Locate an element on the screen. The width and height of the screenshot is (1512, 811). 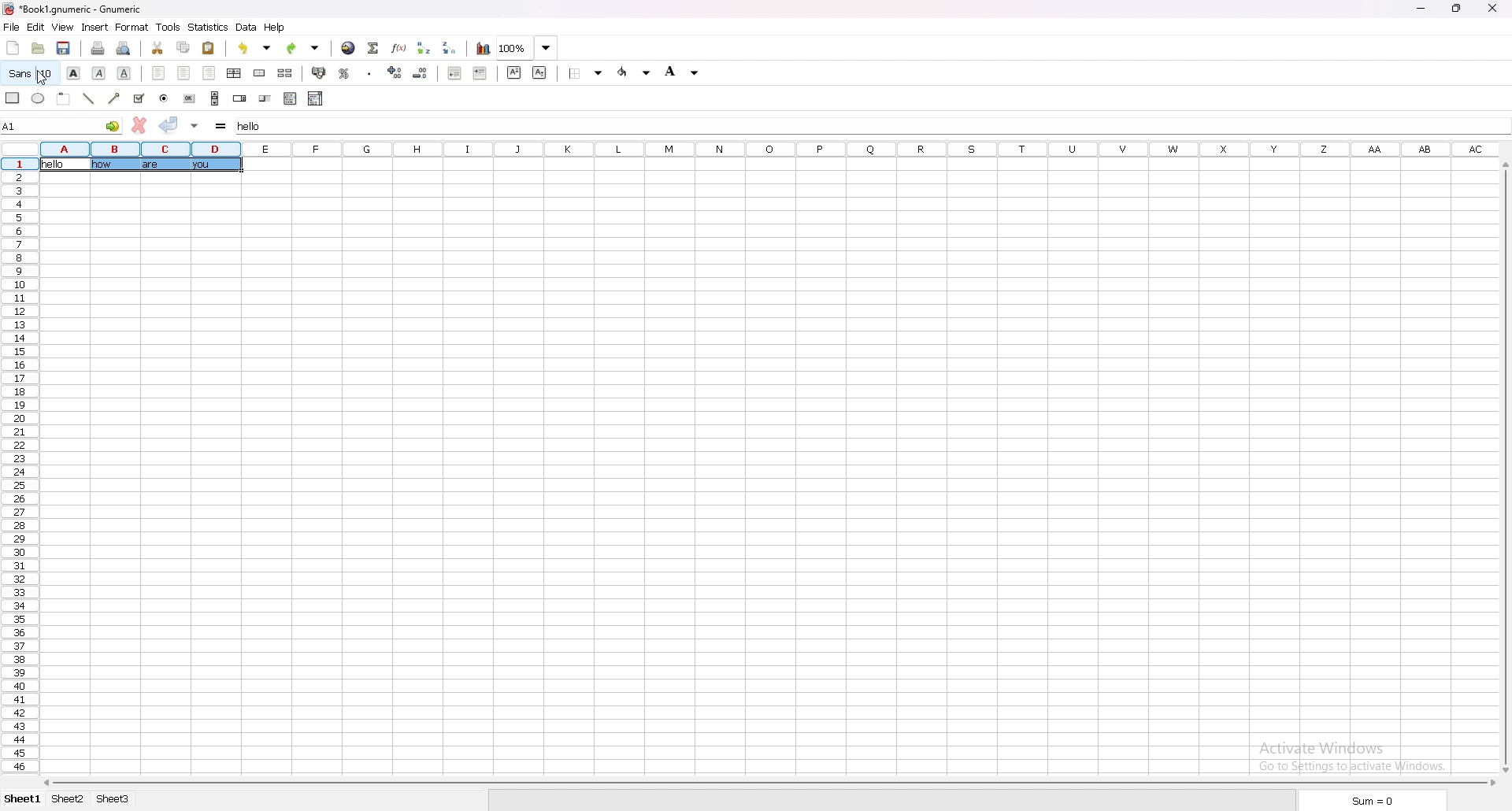
copy is located at coordinates (183, 47).